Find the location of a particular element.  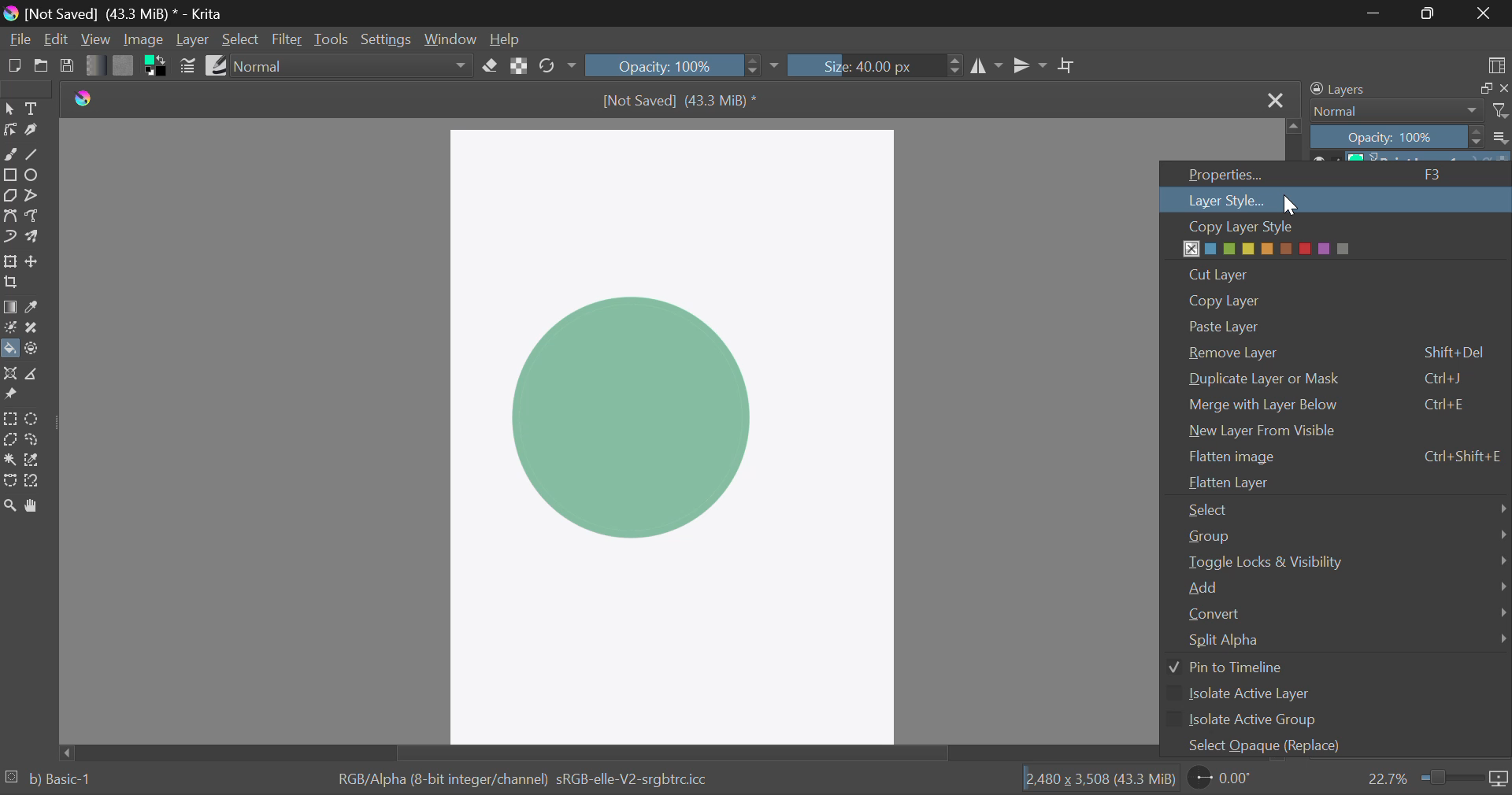

move left is located at coordinates (68, 751).